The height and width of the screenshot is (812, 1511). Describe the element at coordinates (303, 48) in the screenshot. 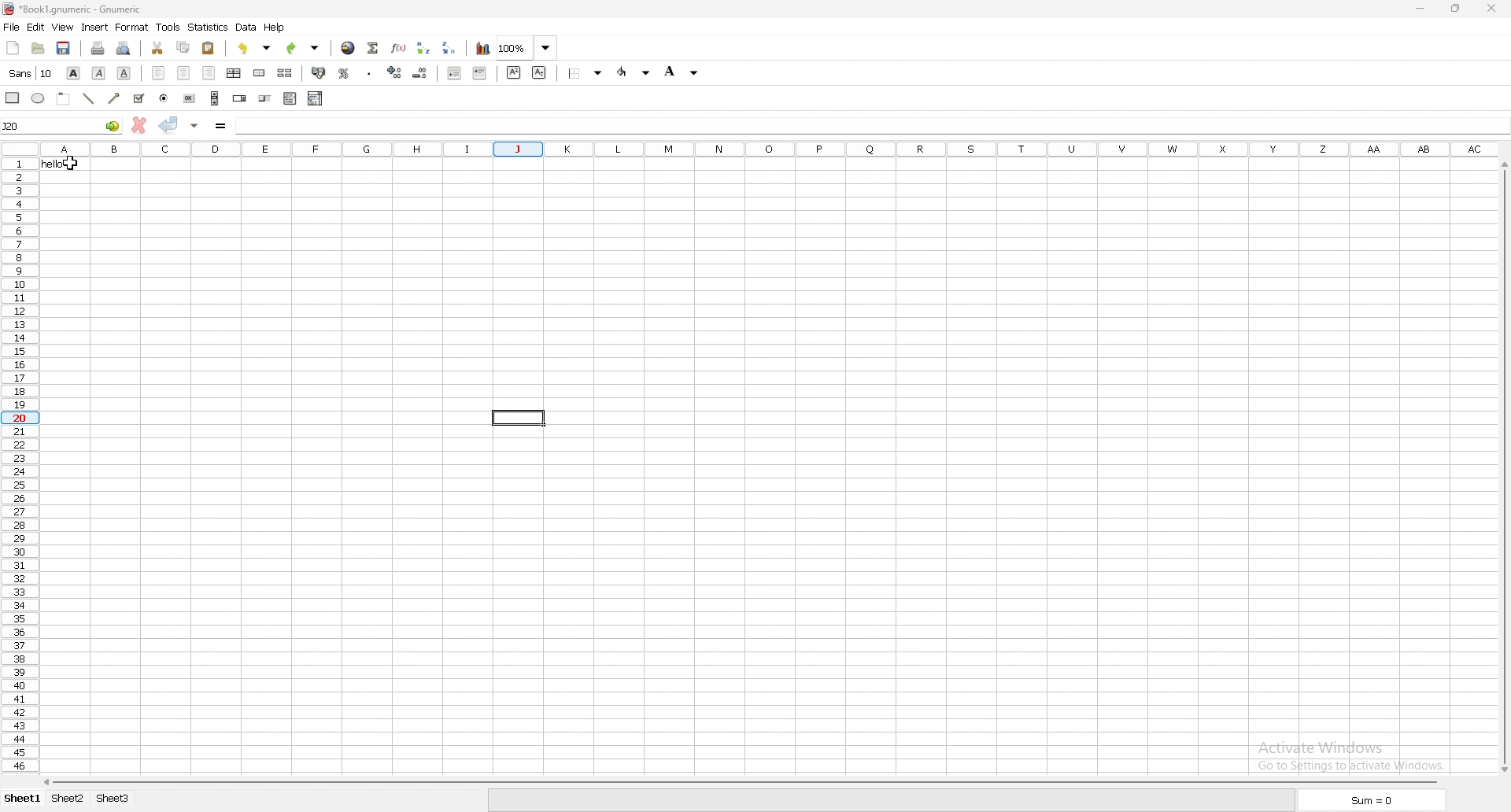

I see `redo` at that location.